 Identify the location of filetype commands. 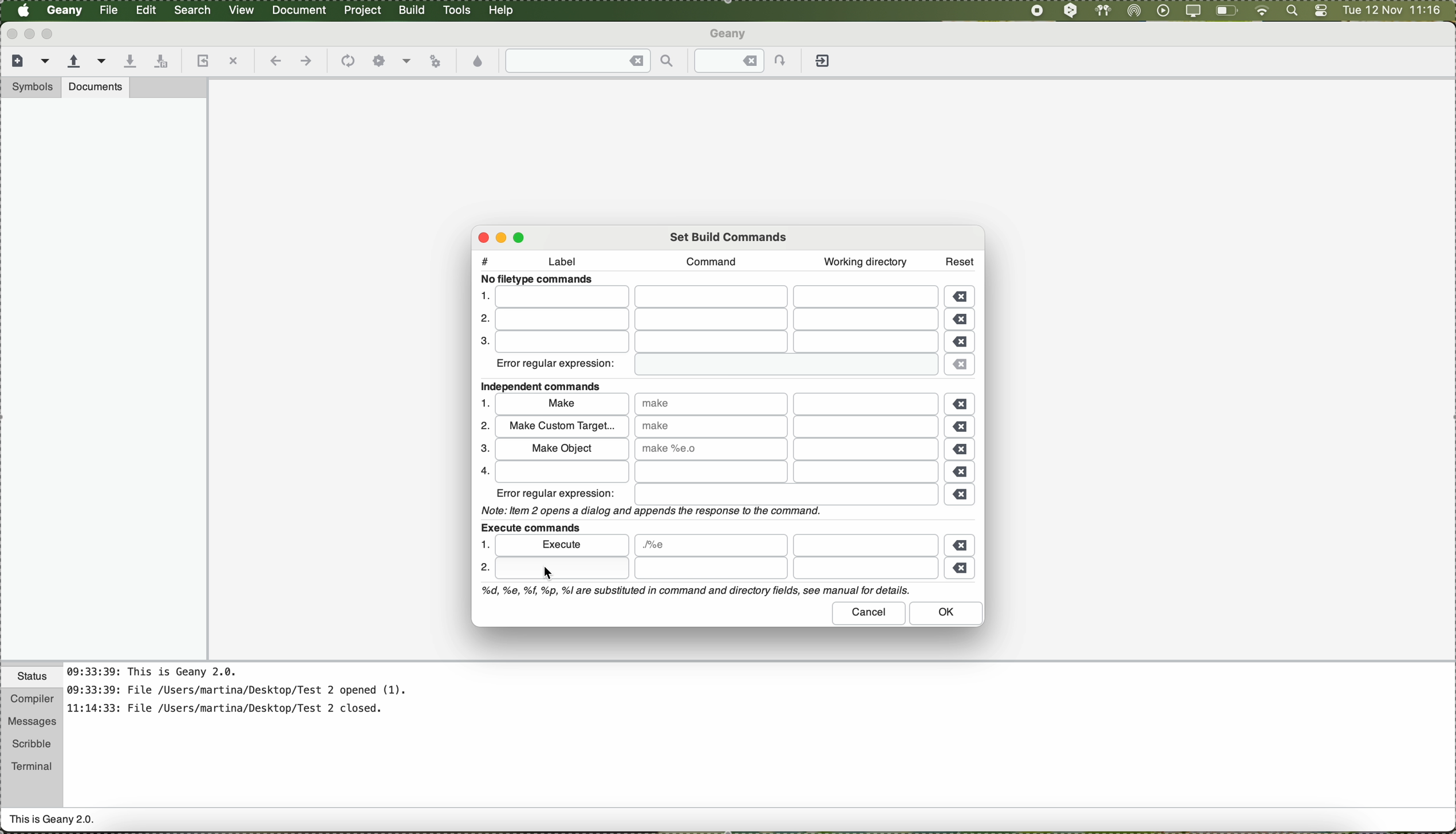
(540, 280).